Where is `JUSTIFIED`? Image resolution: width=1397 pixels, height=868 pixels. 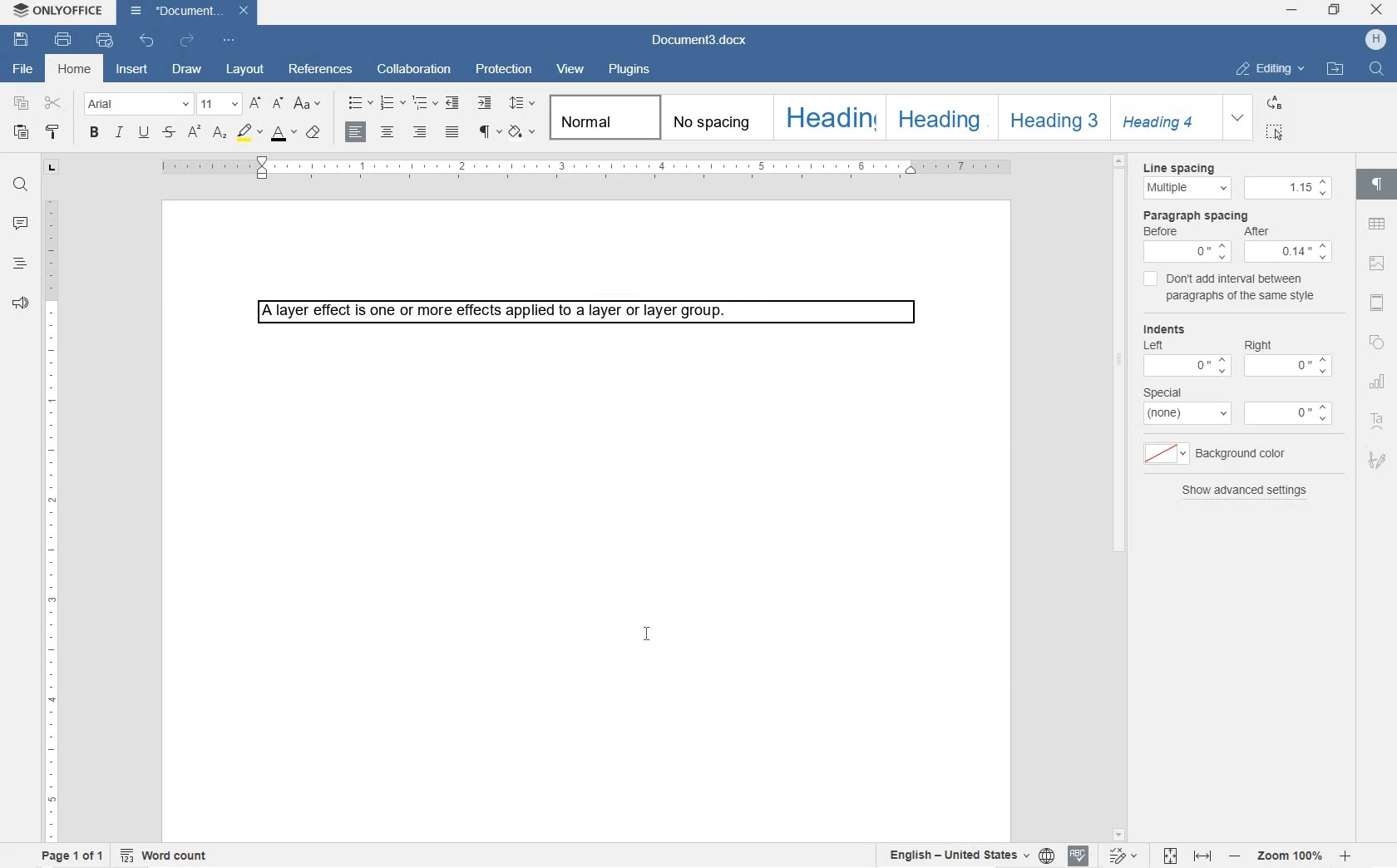
JUSTIFIED is located at coordinates (452, 131).